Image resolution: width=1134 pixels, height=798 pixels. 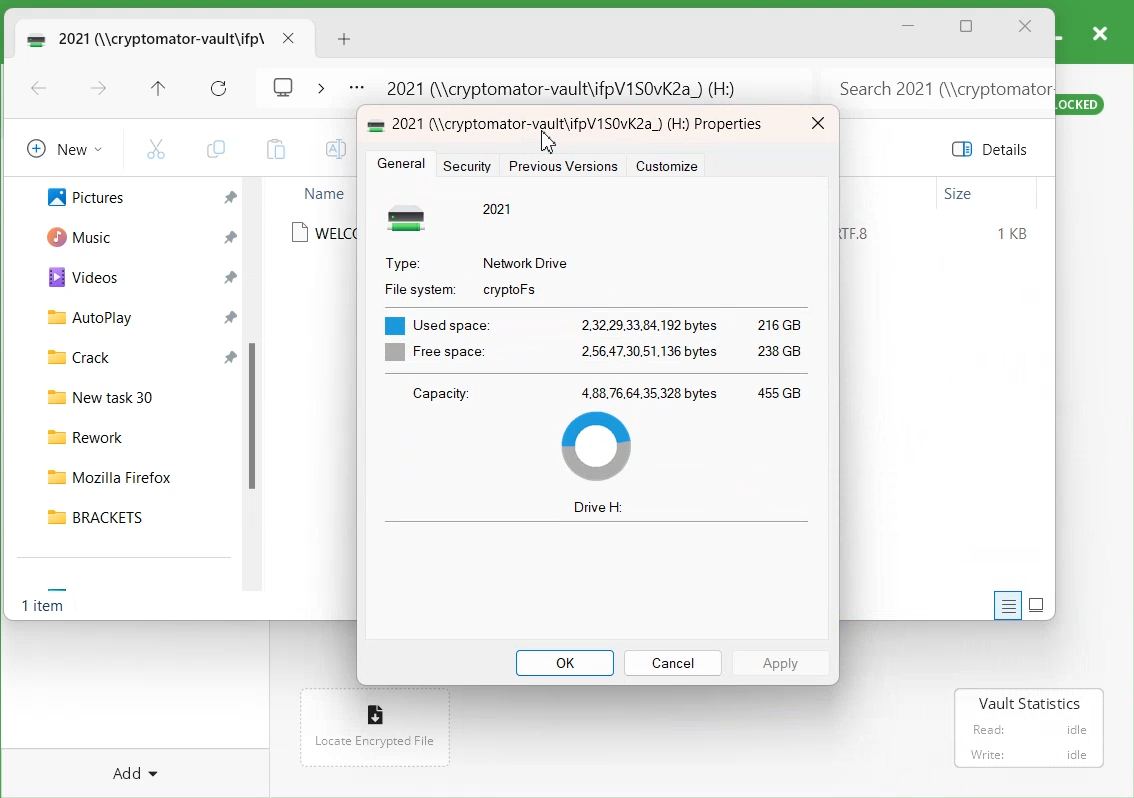 I want to click on Apply, so click(x=782, y=662).